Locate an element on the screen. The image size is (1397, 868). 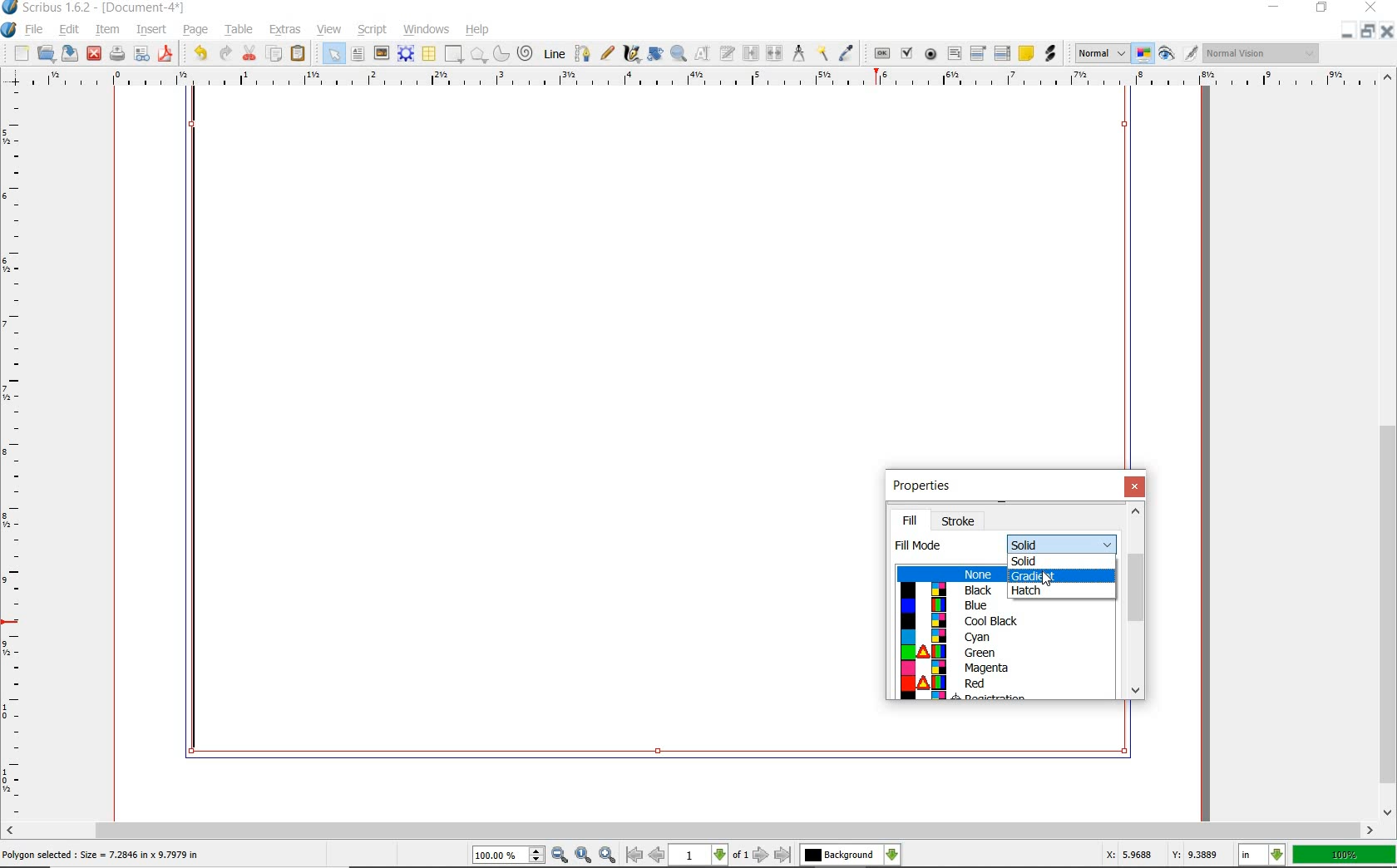
arc is located at coordinates (501, 52).